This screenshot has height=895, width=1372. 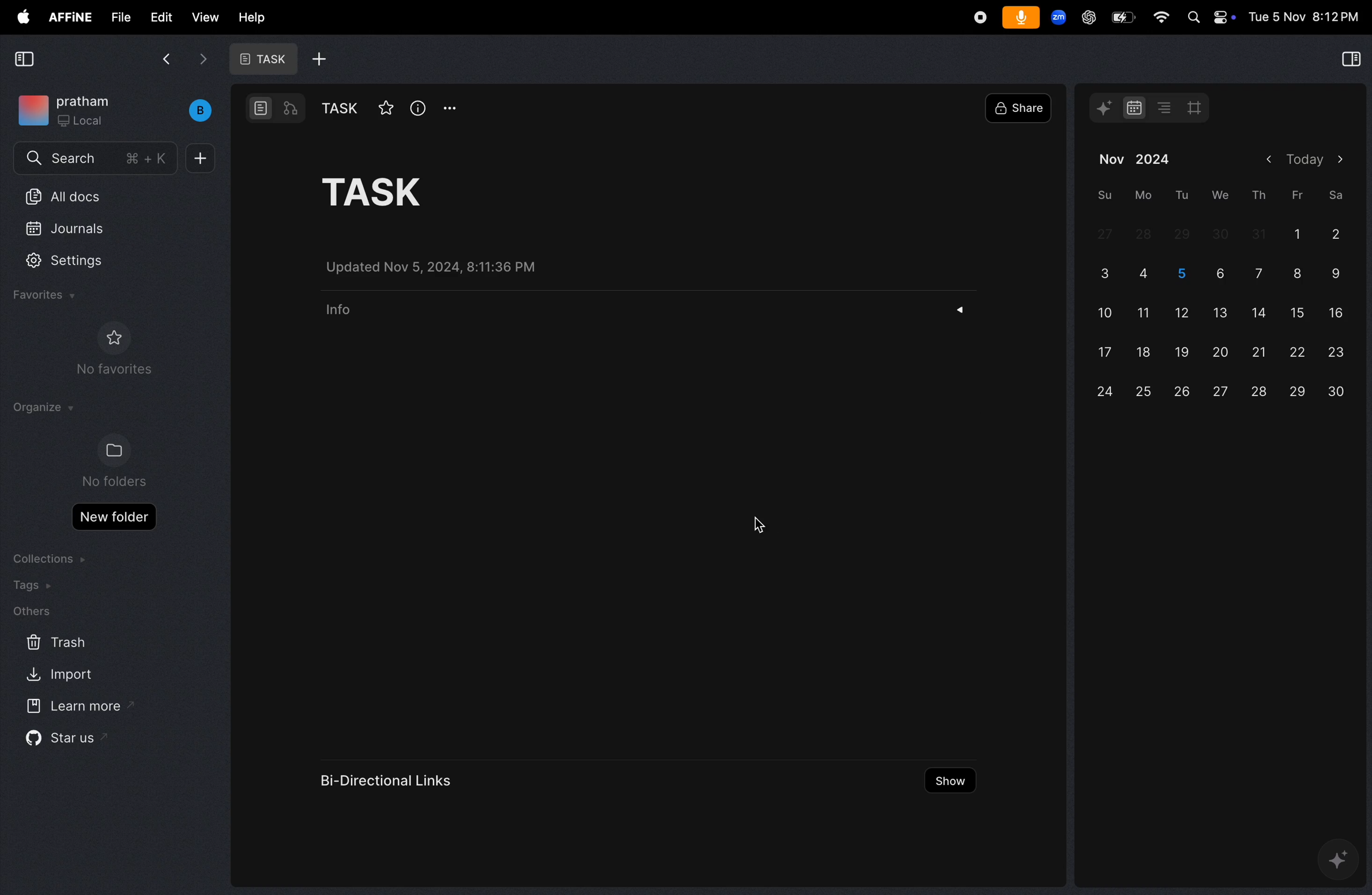 I want to click on today, so click(x=1302, y=160).